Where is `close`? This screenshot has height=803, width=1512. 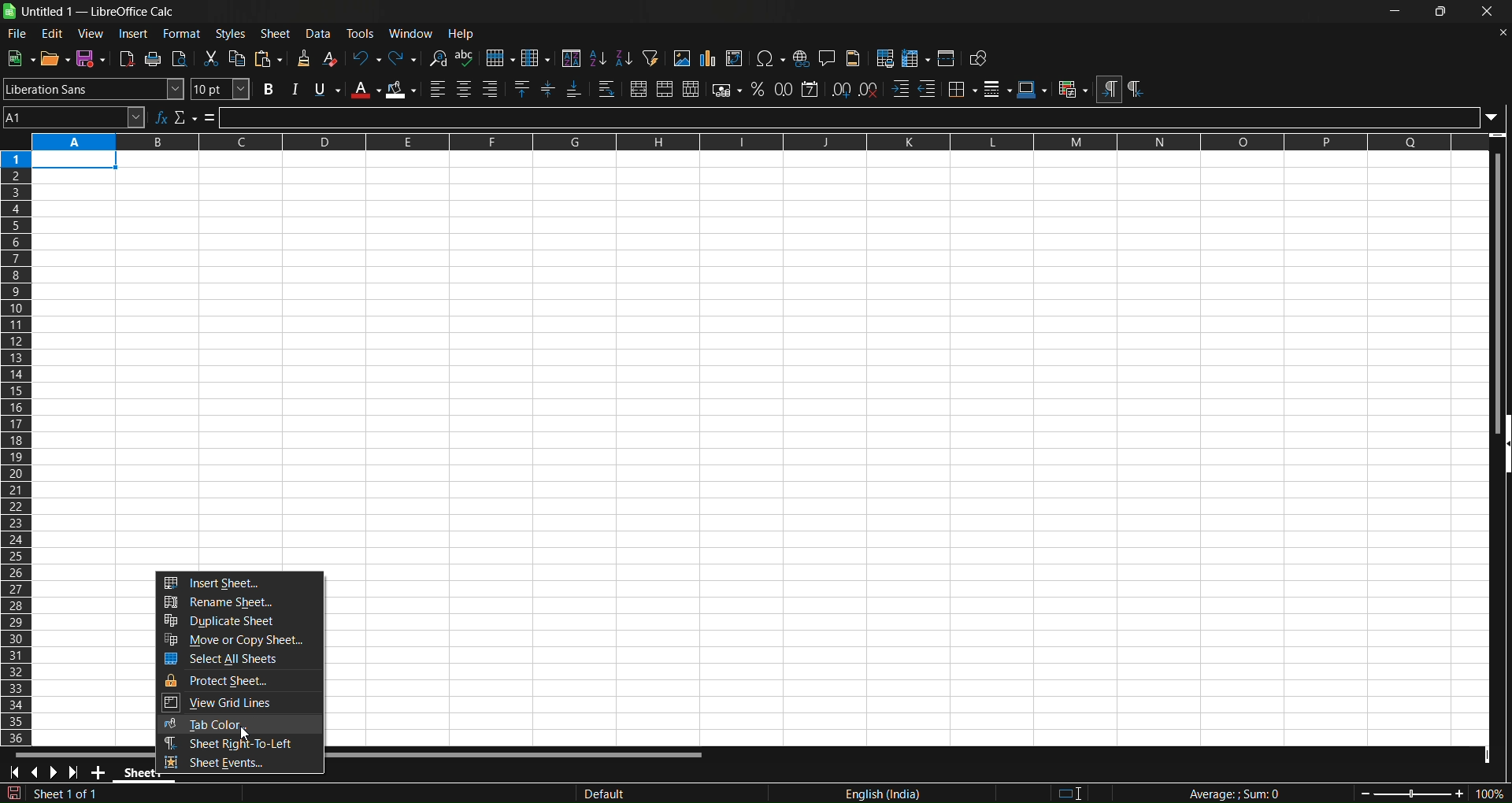
close is located at coordinates (1489, 13).